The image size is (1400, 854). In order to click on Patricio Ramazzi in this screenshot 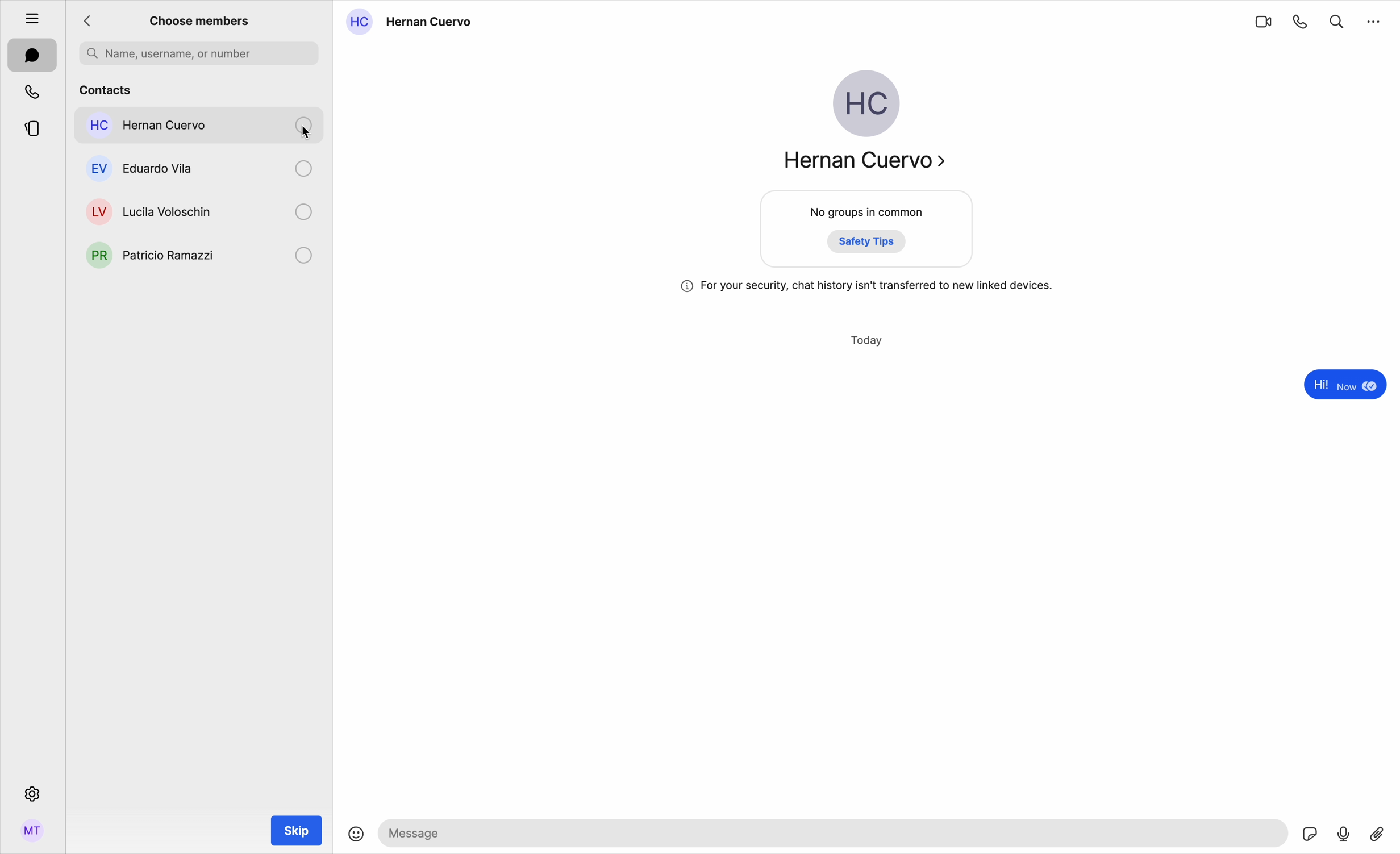, I will do `click(150, 254)`.